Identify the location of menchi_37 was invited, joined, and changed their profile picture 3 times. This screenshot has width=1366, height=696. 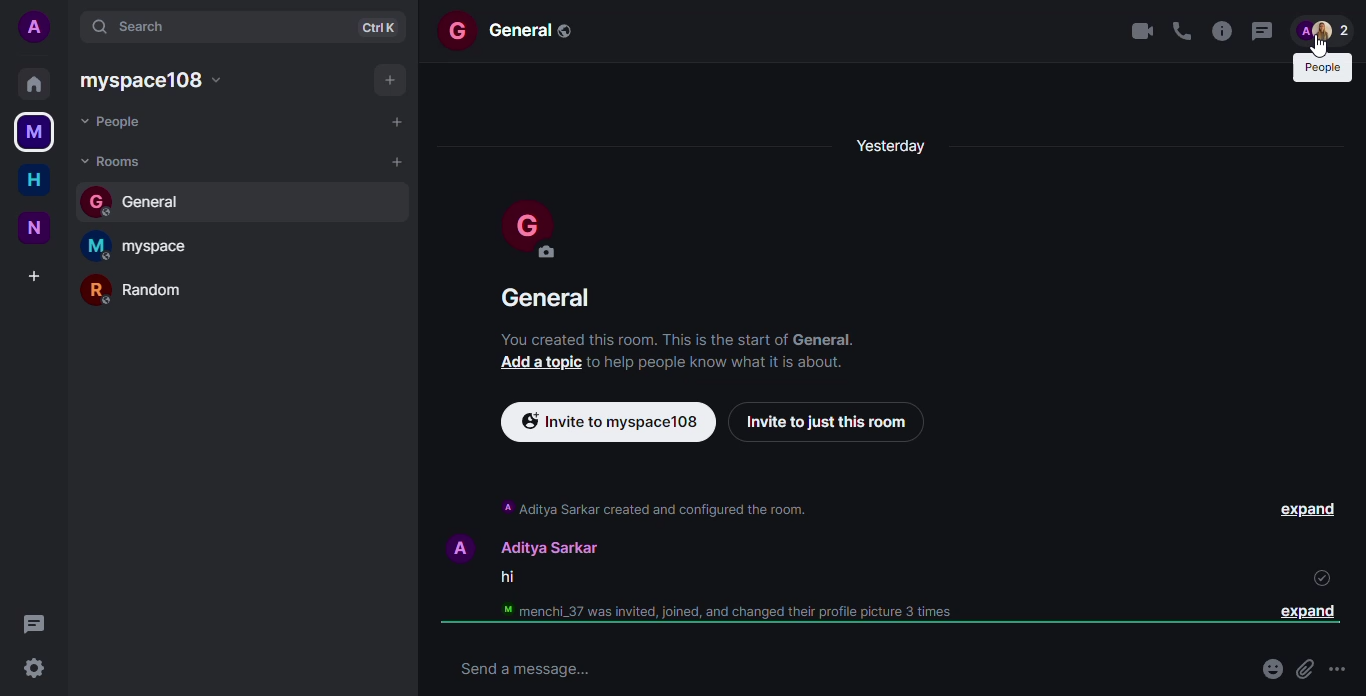
(738, 613).